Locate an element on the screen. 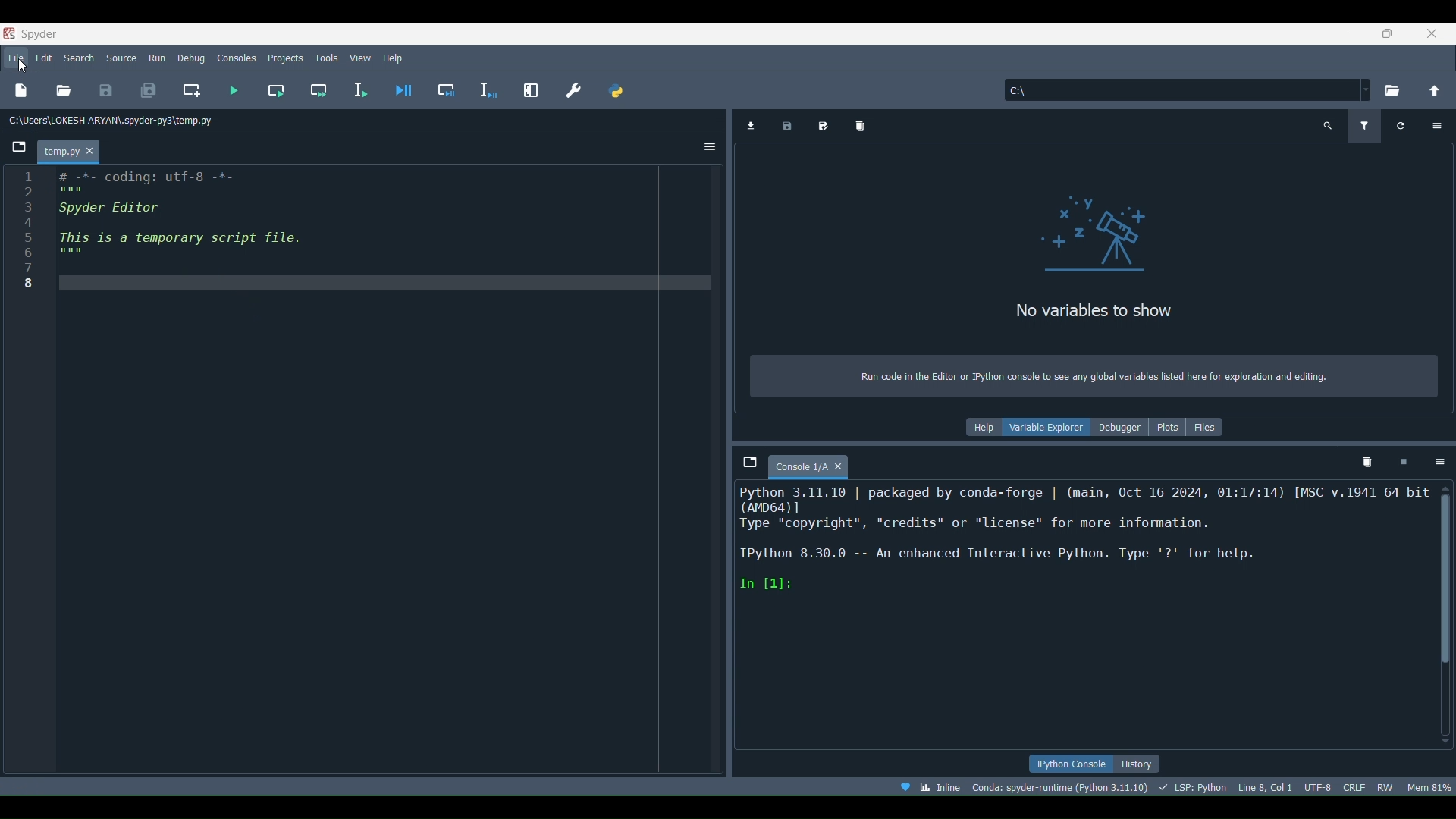  File location is located at coordinates (1185, 88).